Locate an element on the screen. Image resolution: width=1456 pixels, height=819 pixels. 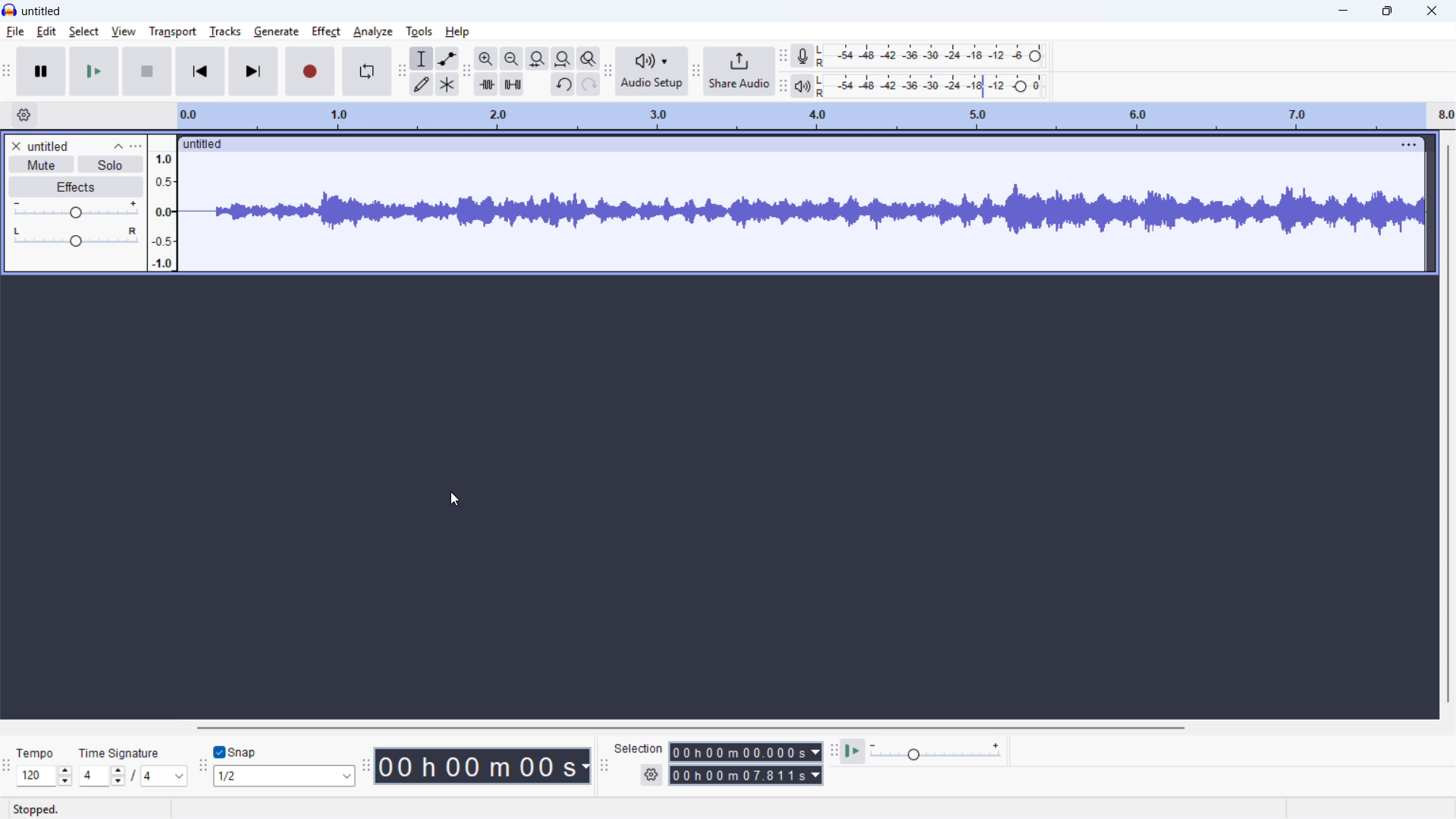
playback meter toolbar is located at coordinates (783, 87).